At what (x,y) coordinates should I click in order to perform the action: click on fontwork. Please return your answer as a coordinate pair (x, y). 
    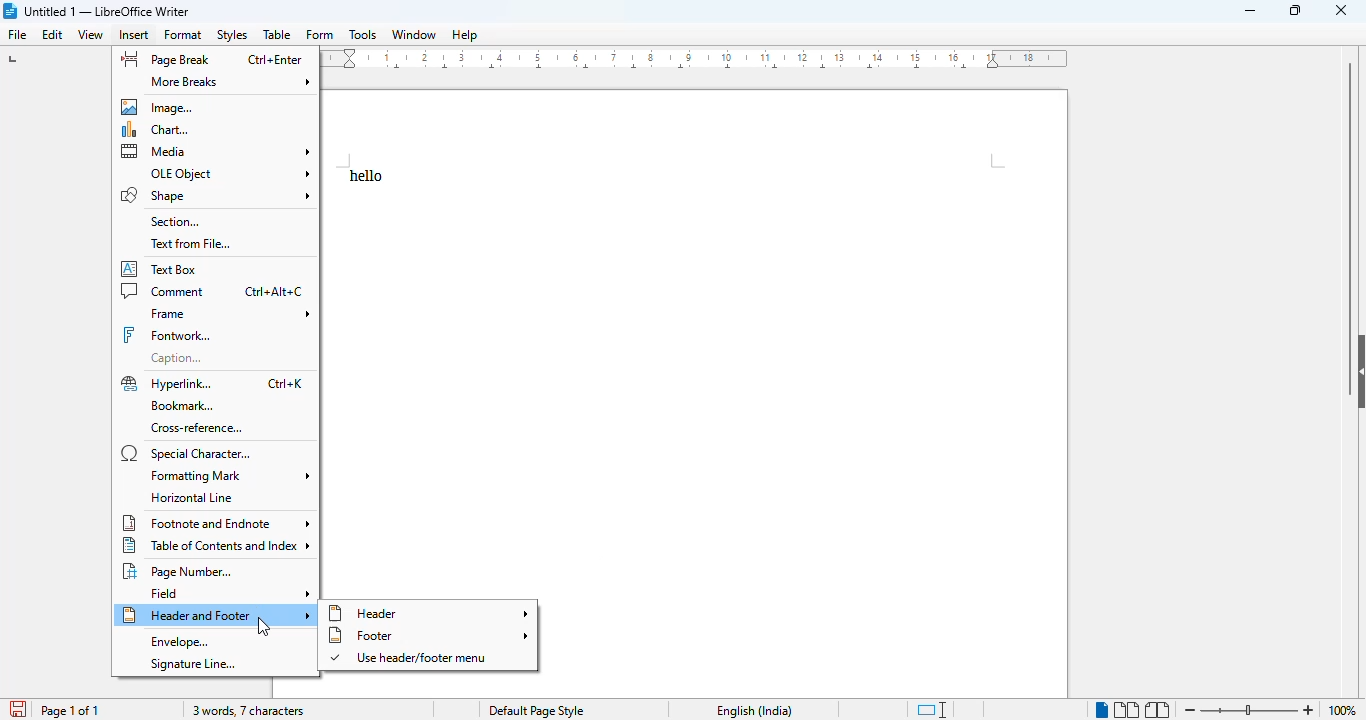
    Looking at the image, I should click on (166, 335).